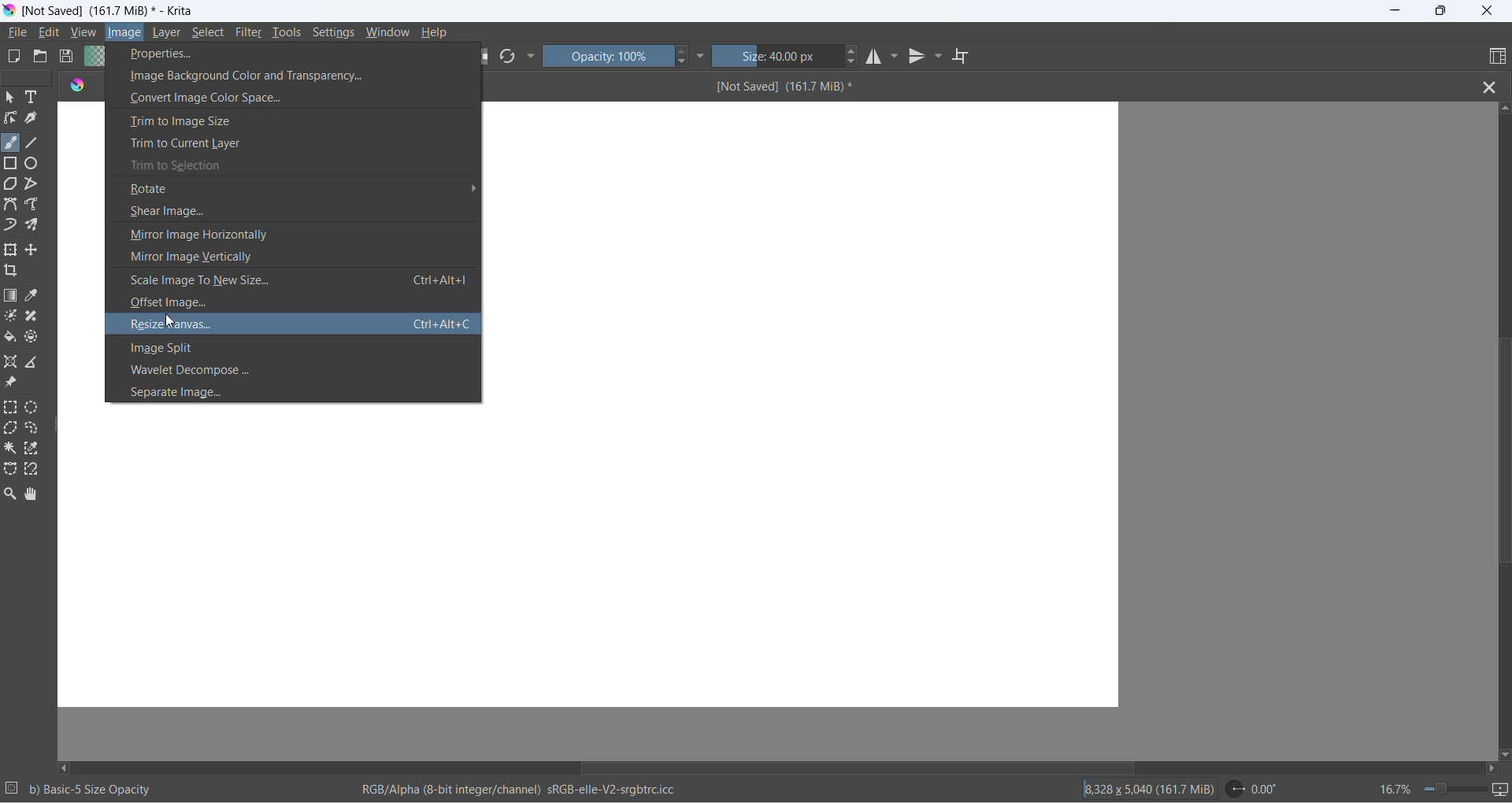 The width and height of the screenshot is (1512, 803). What do you see at coordinates (299, 369) in the screenshot?
I see `wavelet decompose` at bounding box center [299, 369].